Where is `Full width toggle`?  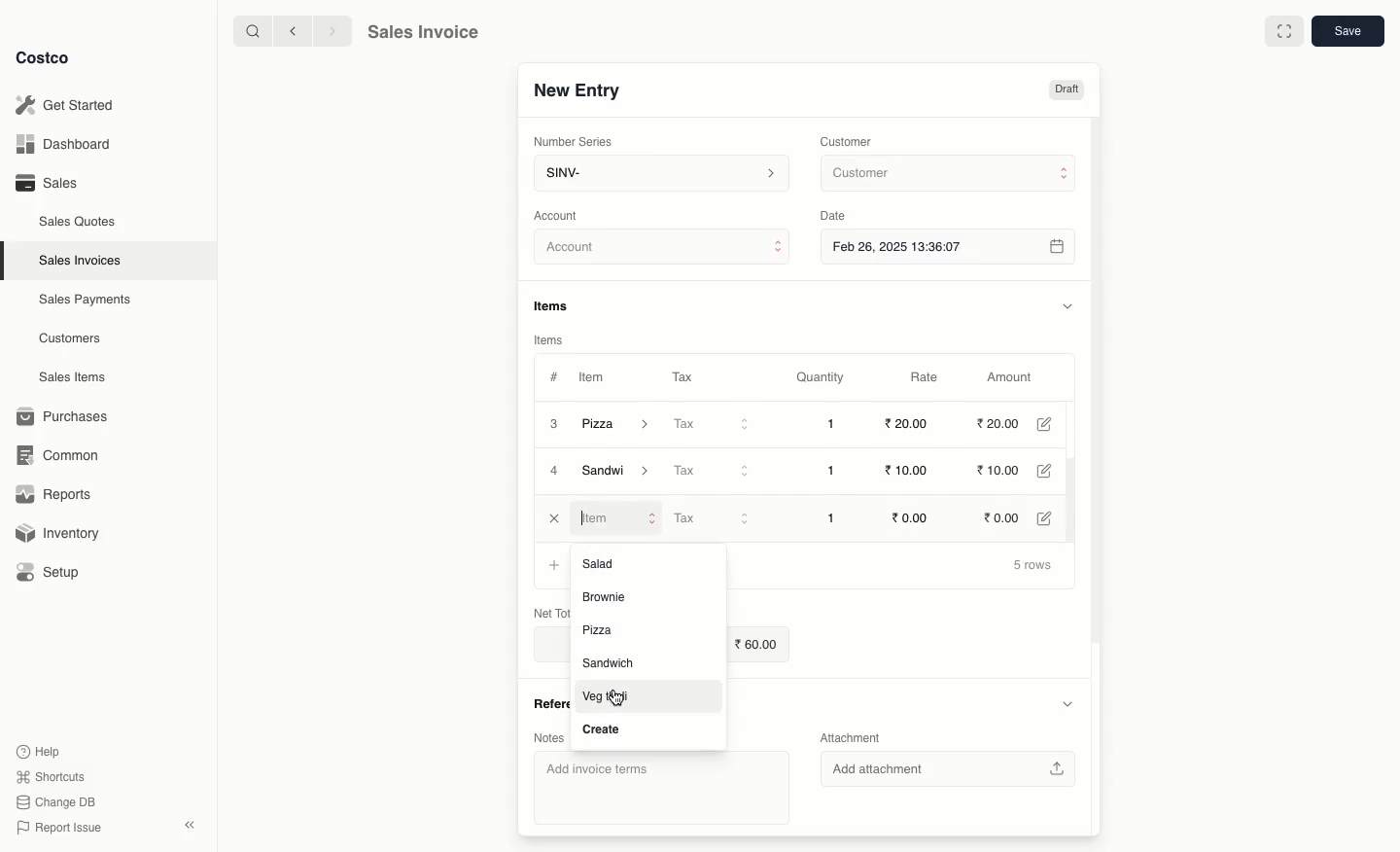 Full width toggle is located at coordinates (1282, 32).